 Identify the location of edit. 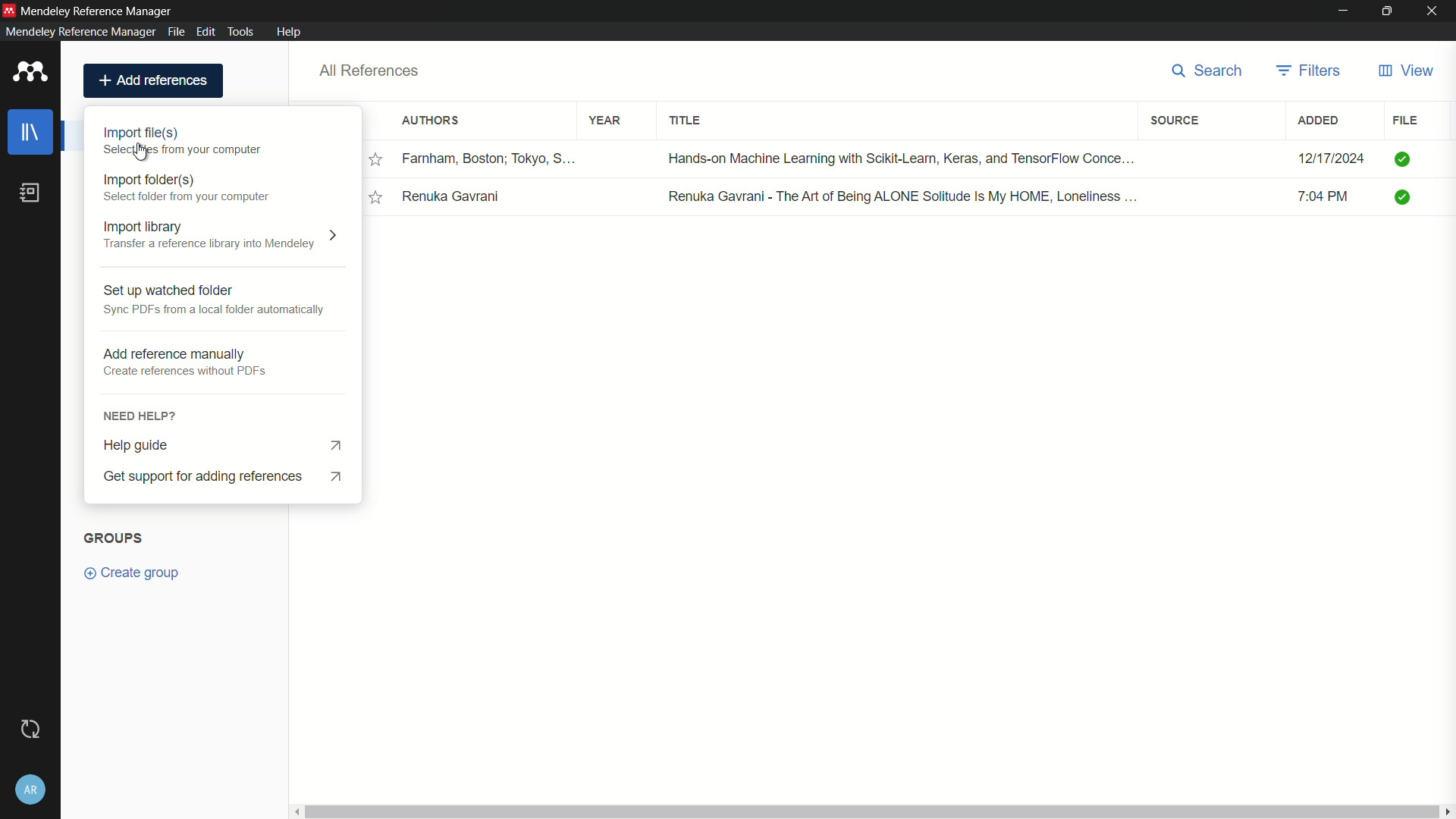
(206, 30).